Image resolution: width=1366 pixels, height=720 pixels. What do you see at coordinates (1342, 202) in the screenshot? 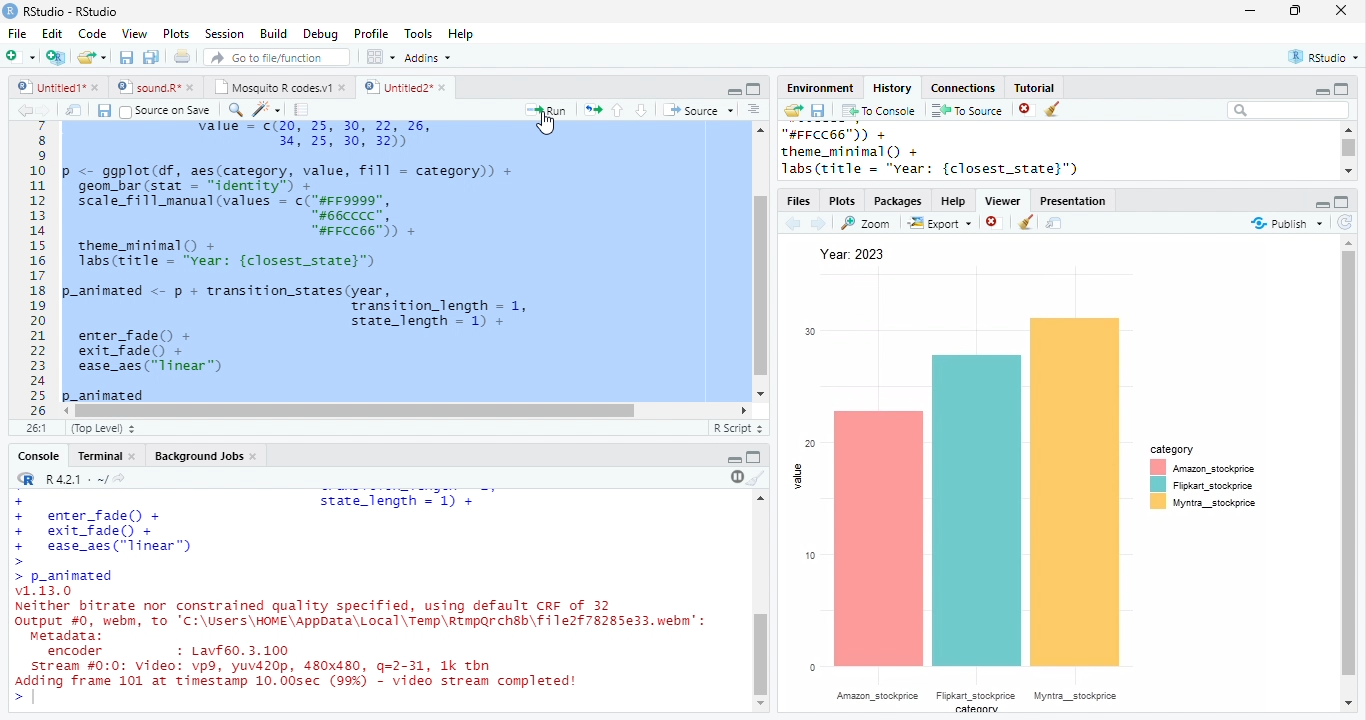
I see `maximize` at bounding box center [1342, 202].